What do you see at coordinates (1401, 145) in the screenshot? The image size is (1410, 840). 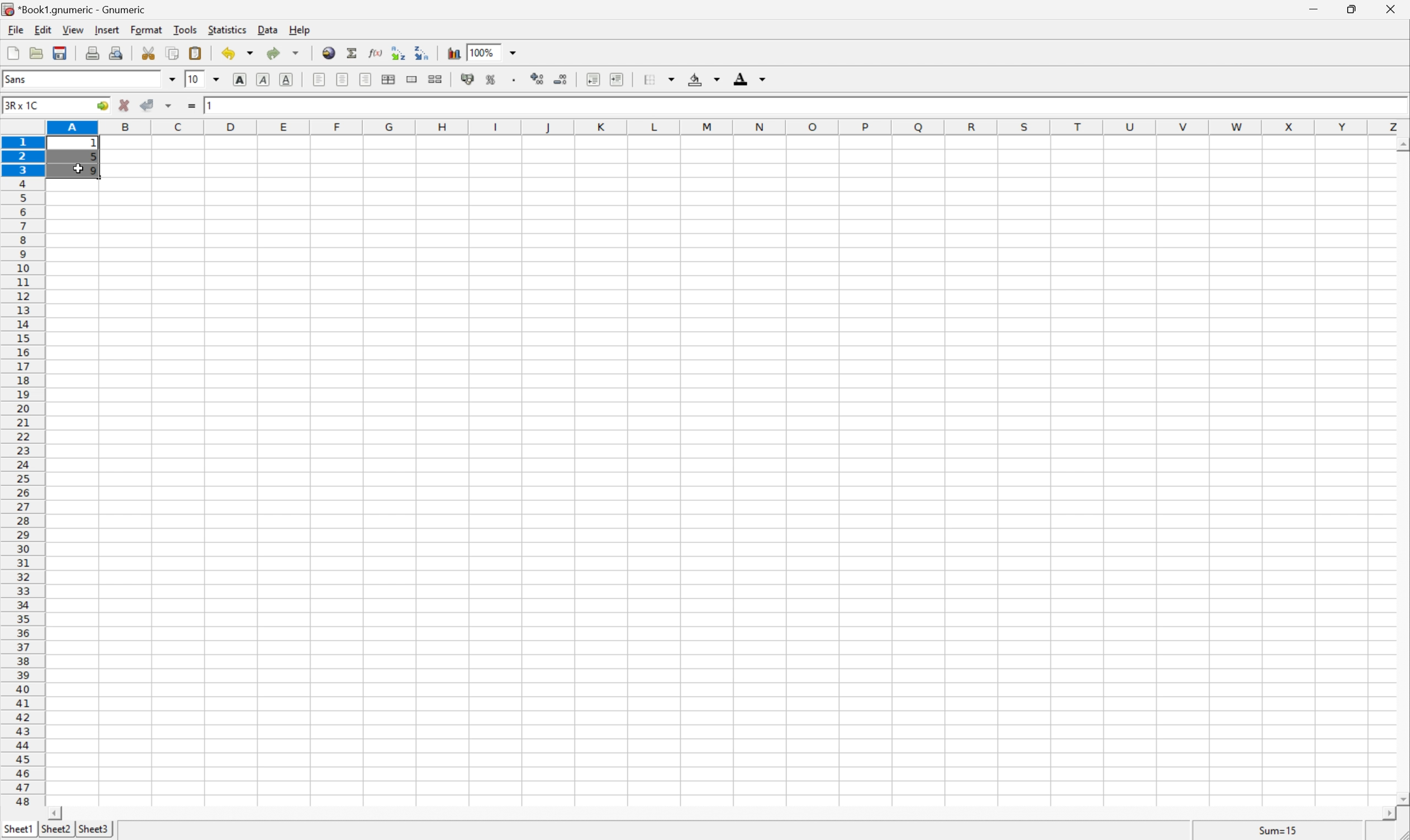 I see `scroll up` at bounding box center [1401, 145].